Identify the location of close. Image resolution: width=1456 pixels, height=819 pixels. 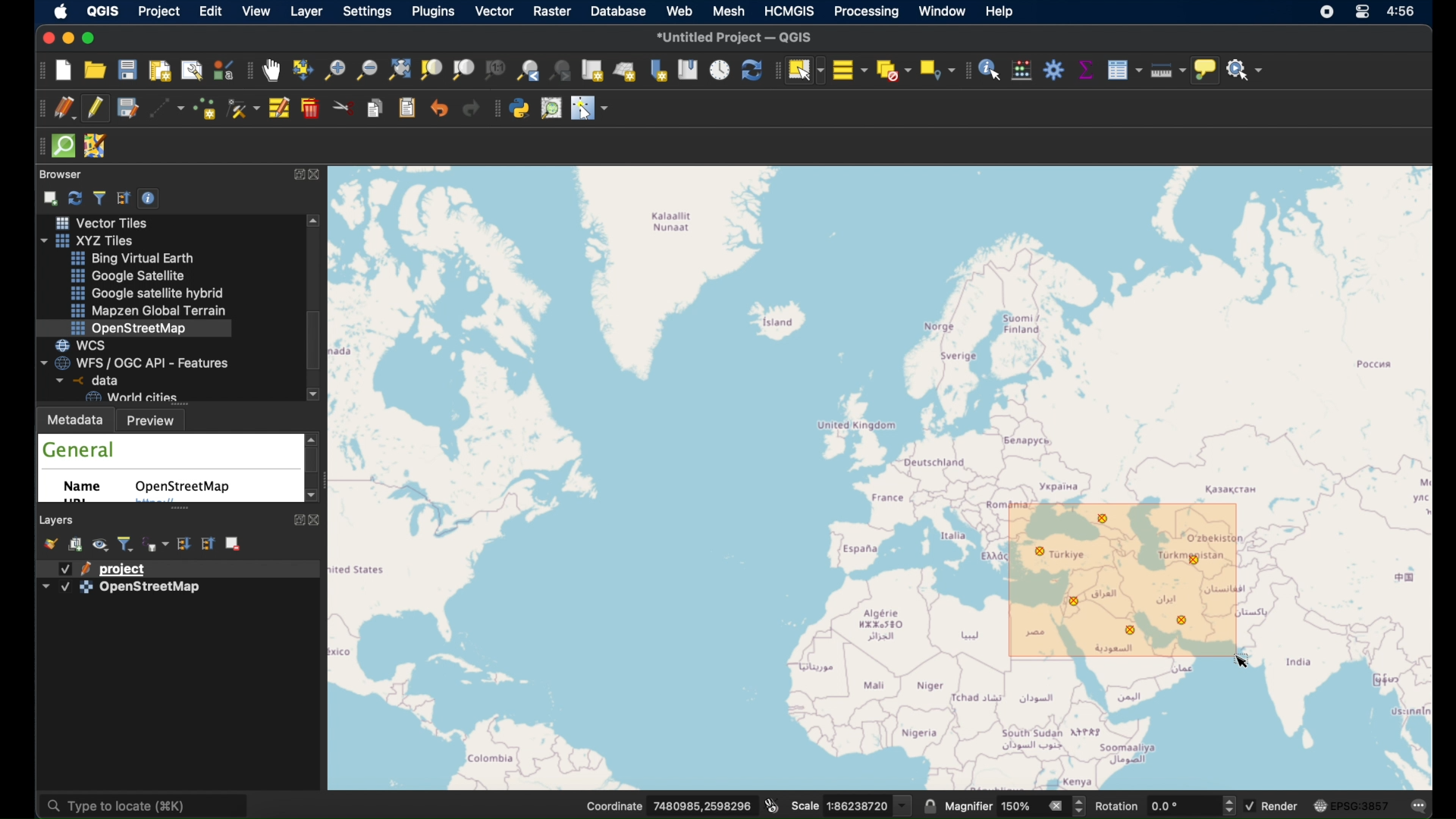
(315, 520).